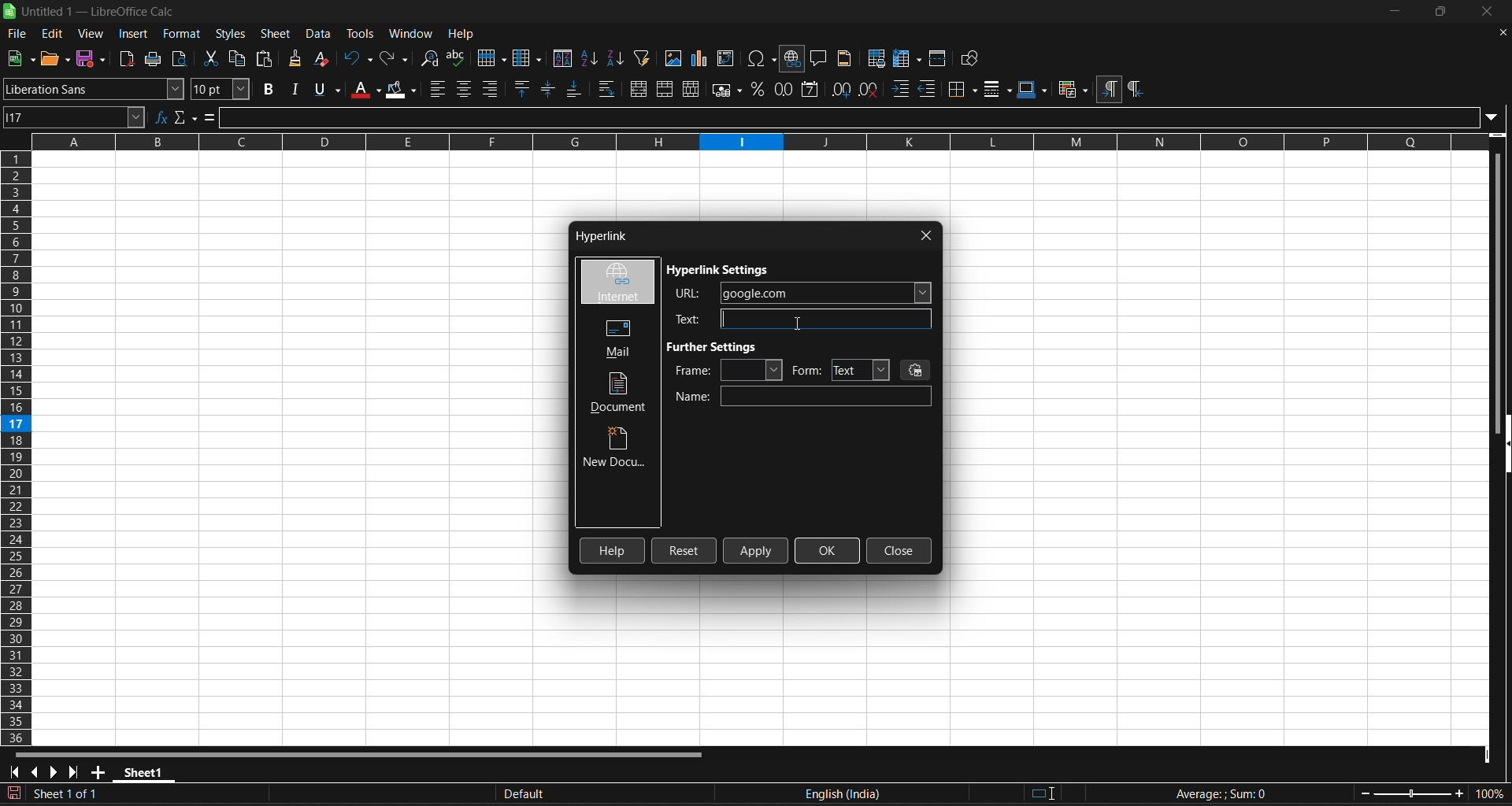  I want to click on format as date, so click(812, 90).